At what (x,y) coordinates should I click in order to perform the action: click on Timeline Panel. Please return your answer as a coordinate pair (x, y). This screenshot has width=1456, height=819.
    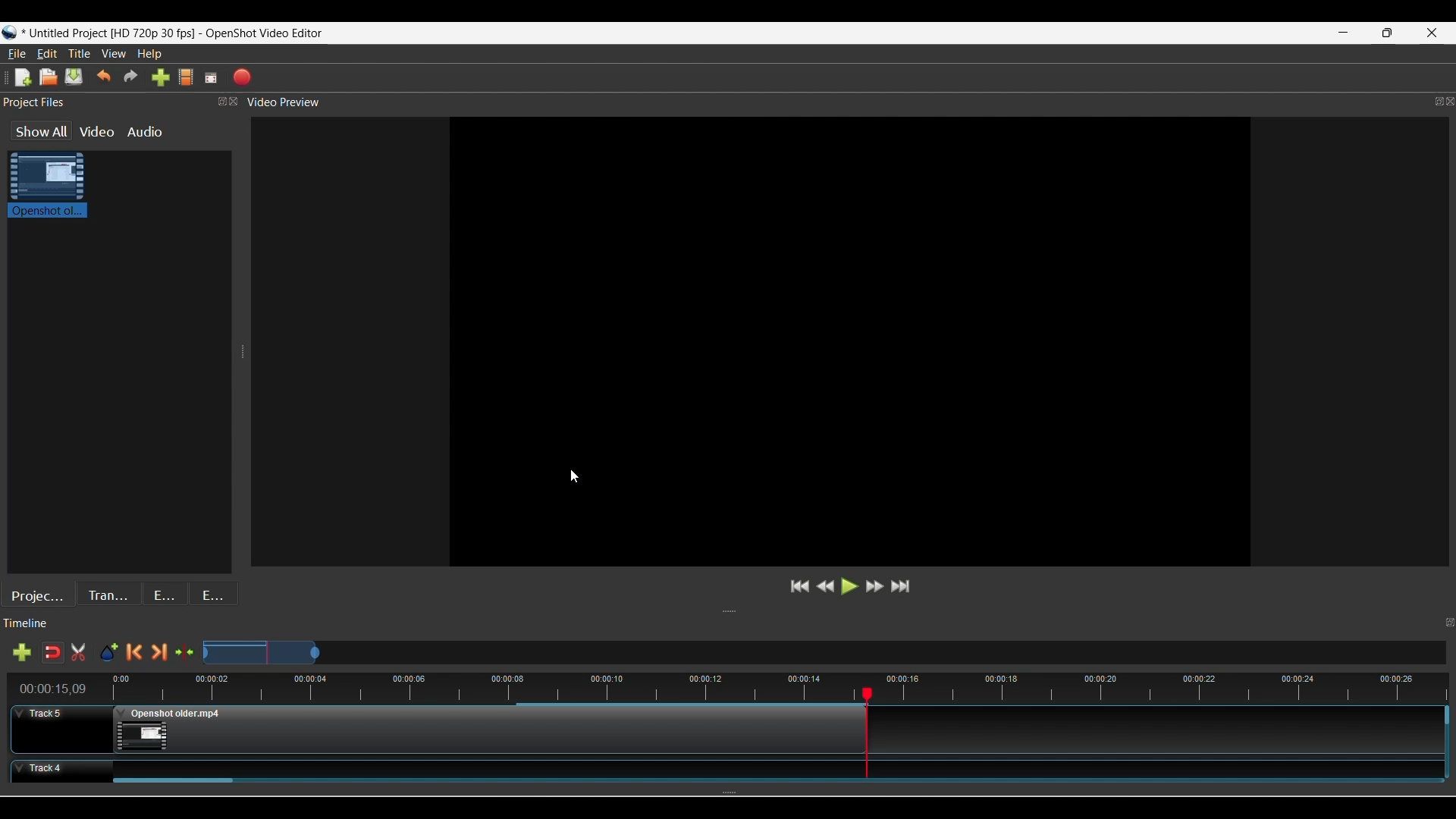
    Looking at the image, I should click on (714, 627).